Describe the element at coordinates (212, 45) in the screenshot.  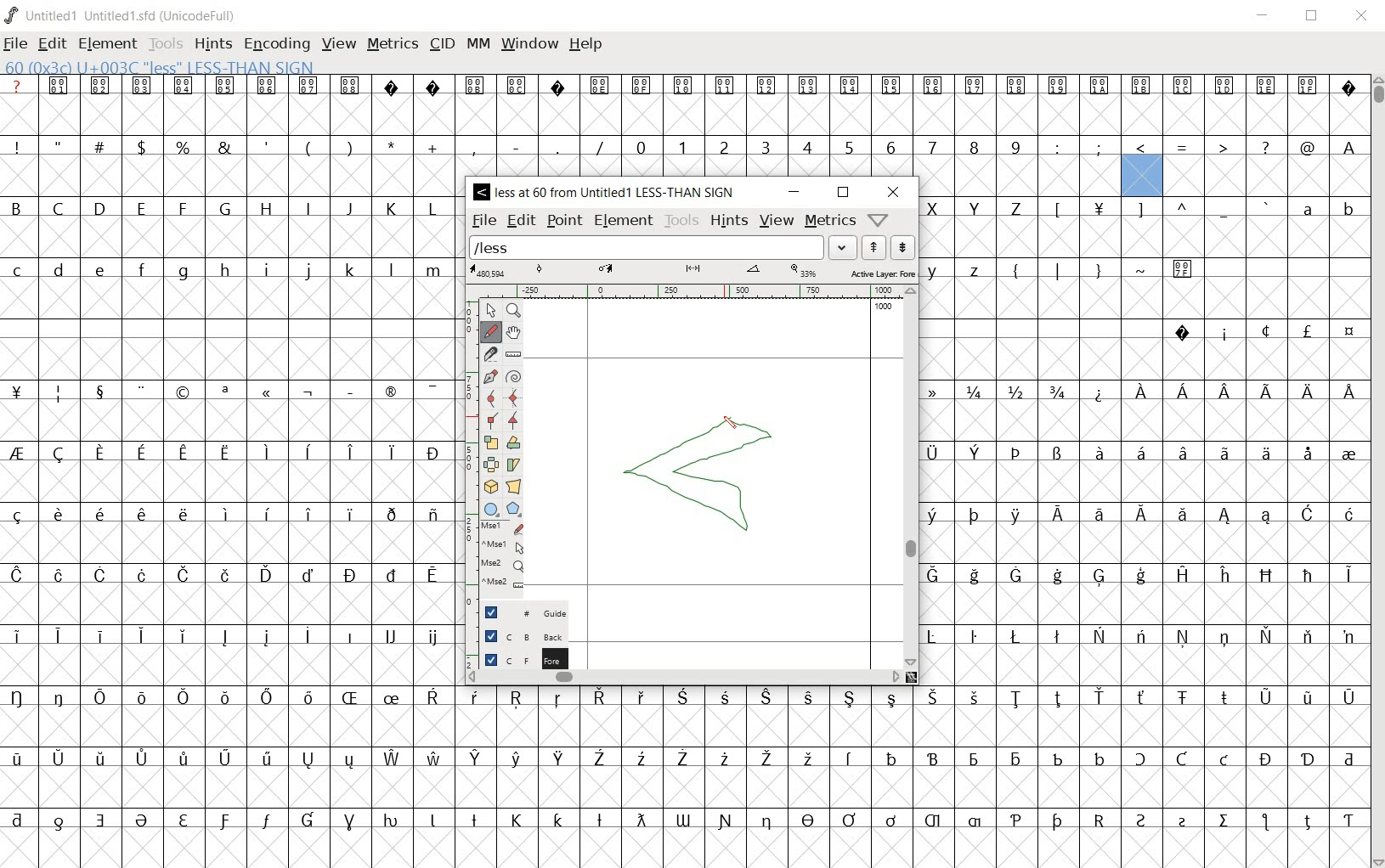
I see `hints` at that location.